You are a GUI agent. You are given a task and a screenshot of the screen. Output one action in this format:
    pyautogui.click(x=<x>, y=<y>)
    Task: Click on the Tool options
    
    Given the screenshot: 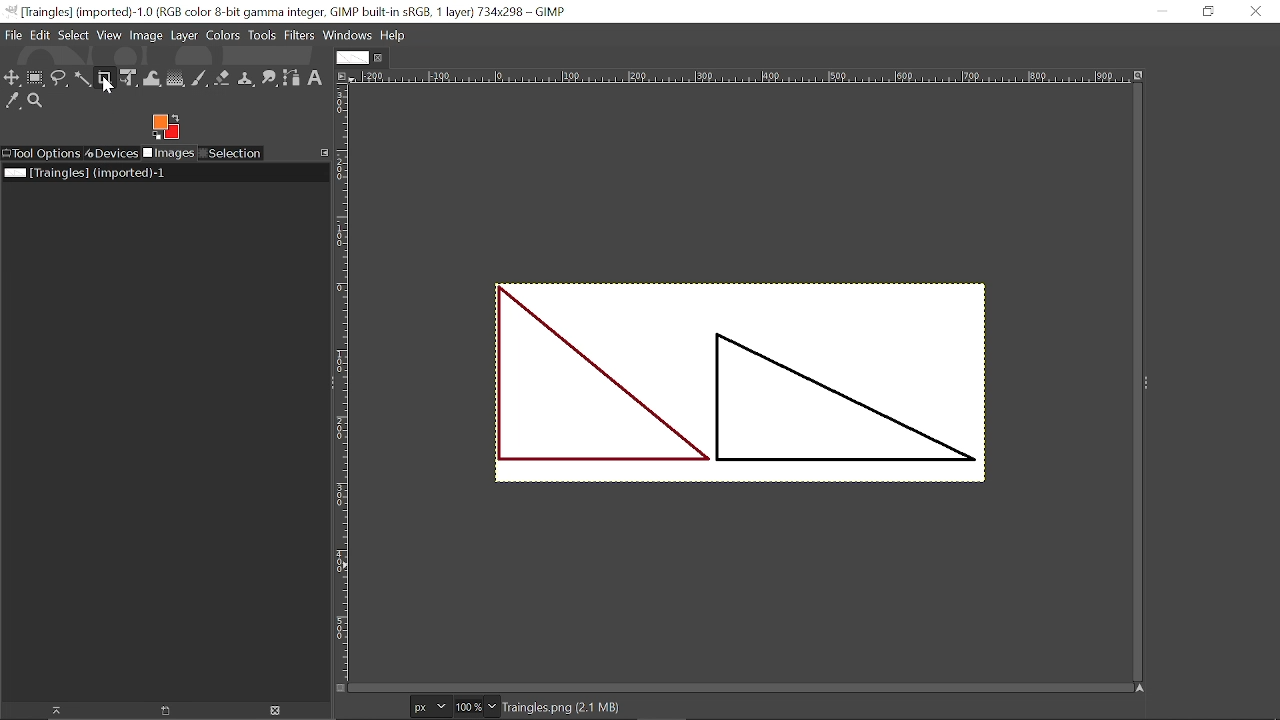 What is the action you would take?
    pyautogui.click(x=41, y=154)
    